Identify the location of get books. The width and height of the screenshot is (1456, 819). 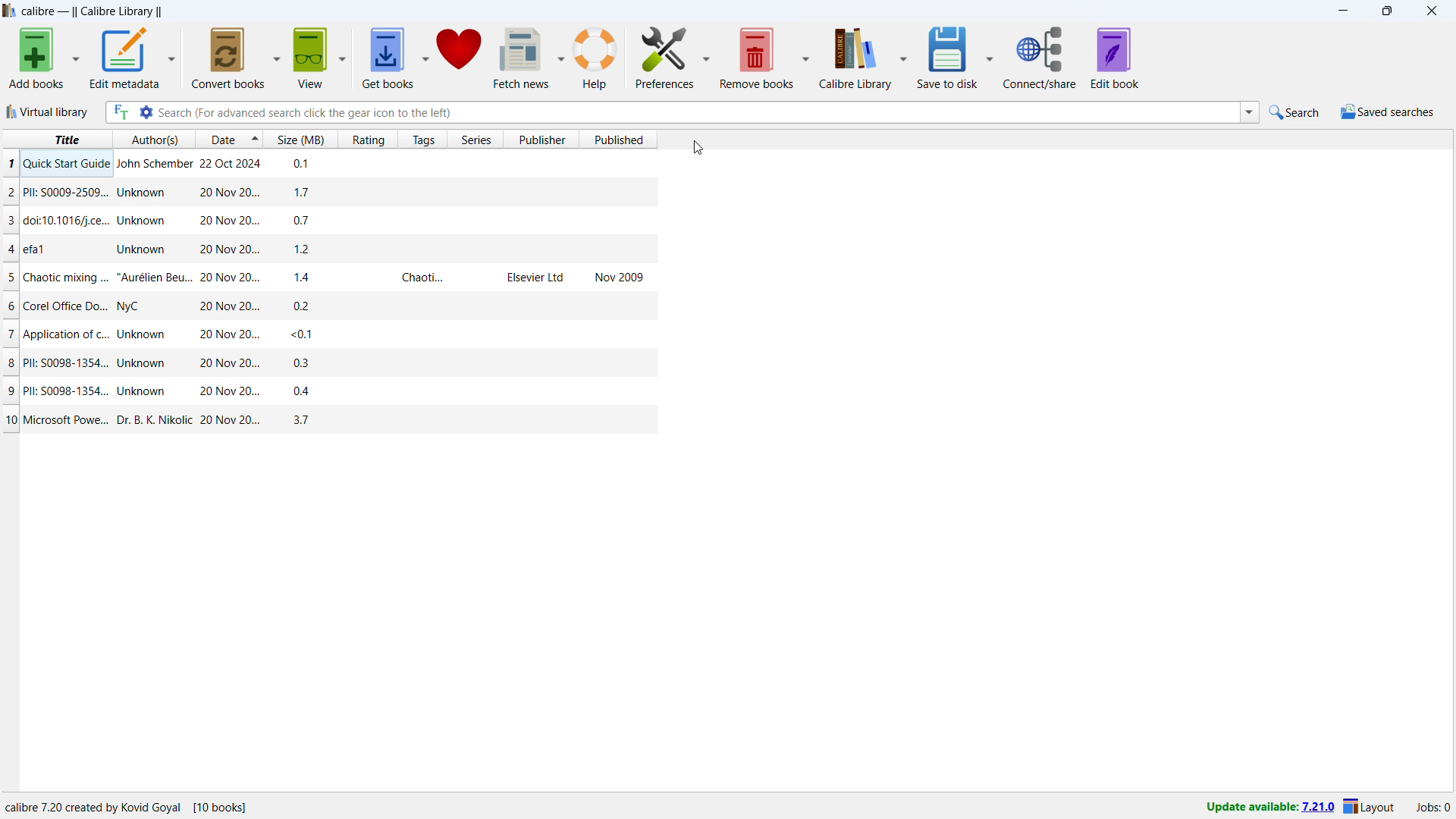
(388, 58).